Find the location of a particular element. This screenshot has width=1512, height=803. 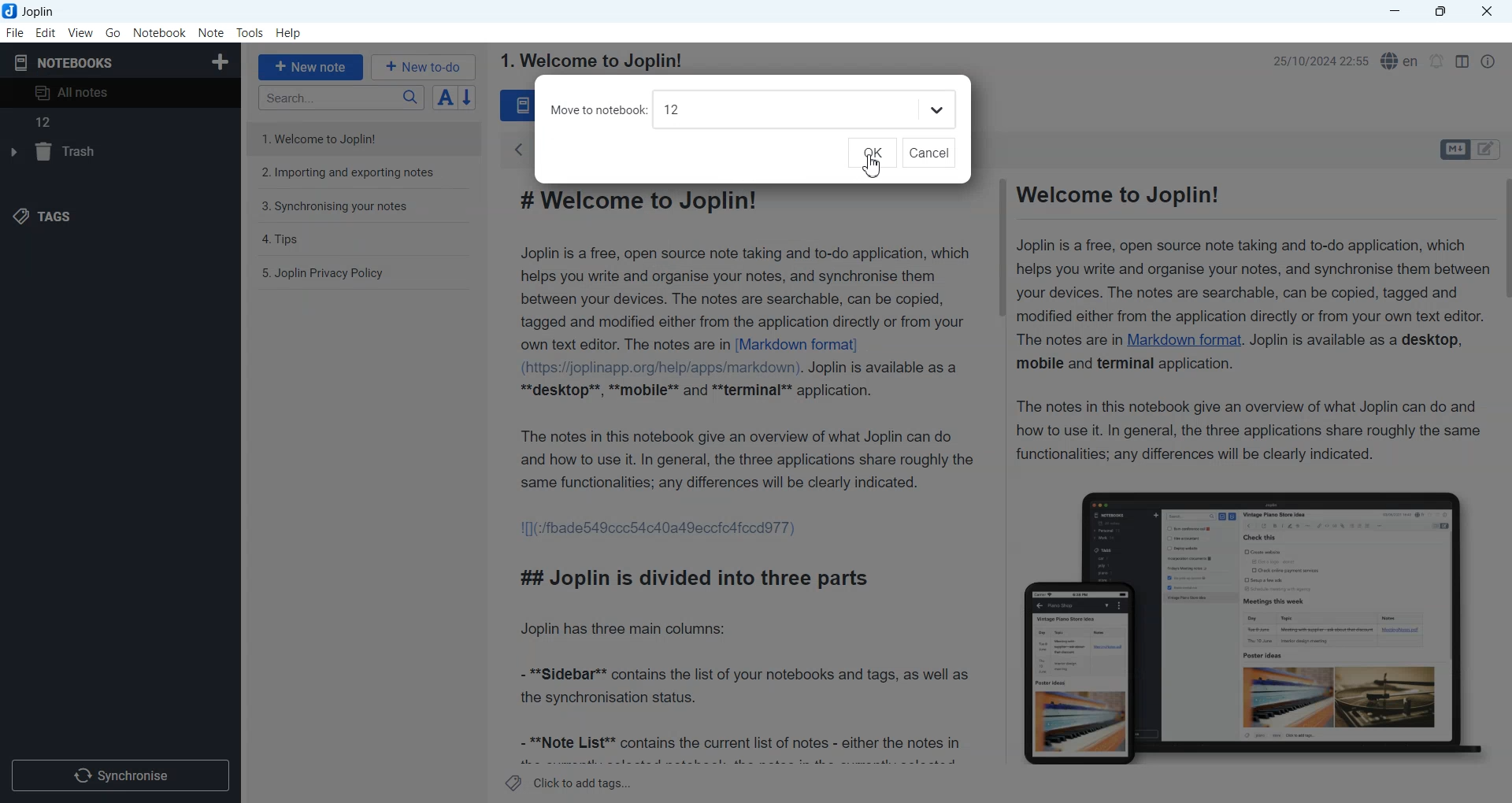

Help is located at coordinates (290, 34).